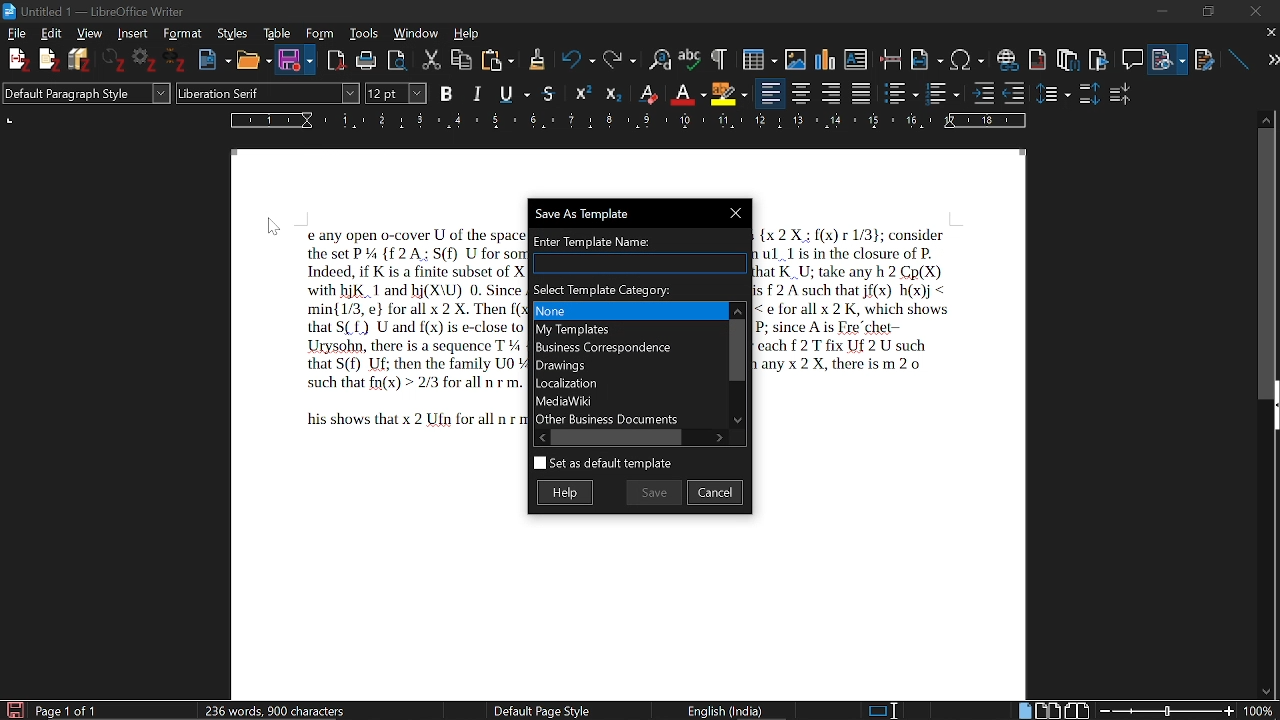  I want to click on close, so click(1256, 10).